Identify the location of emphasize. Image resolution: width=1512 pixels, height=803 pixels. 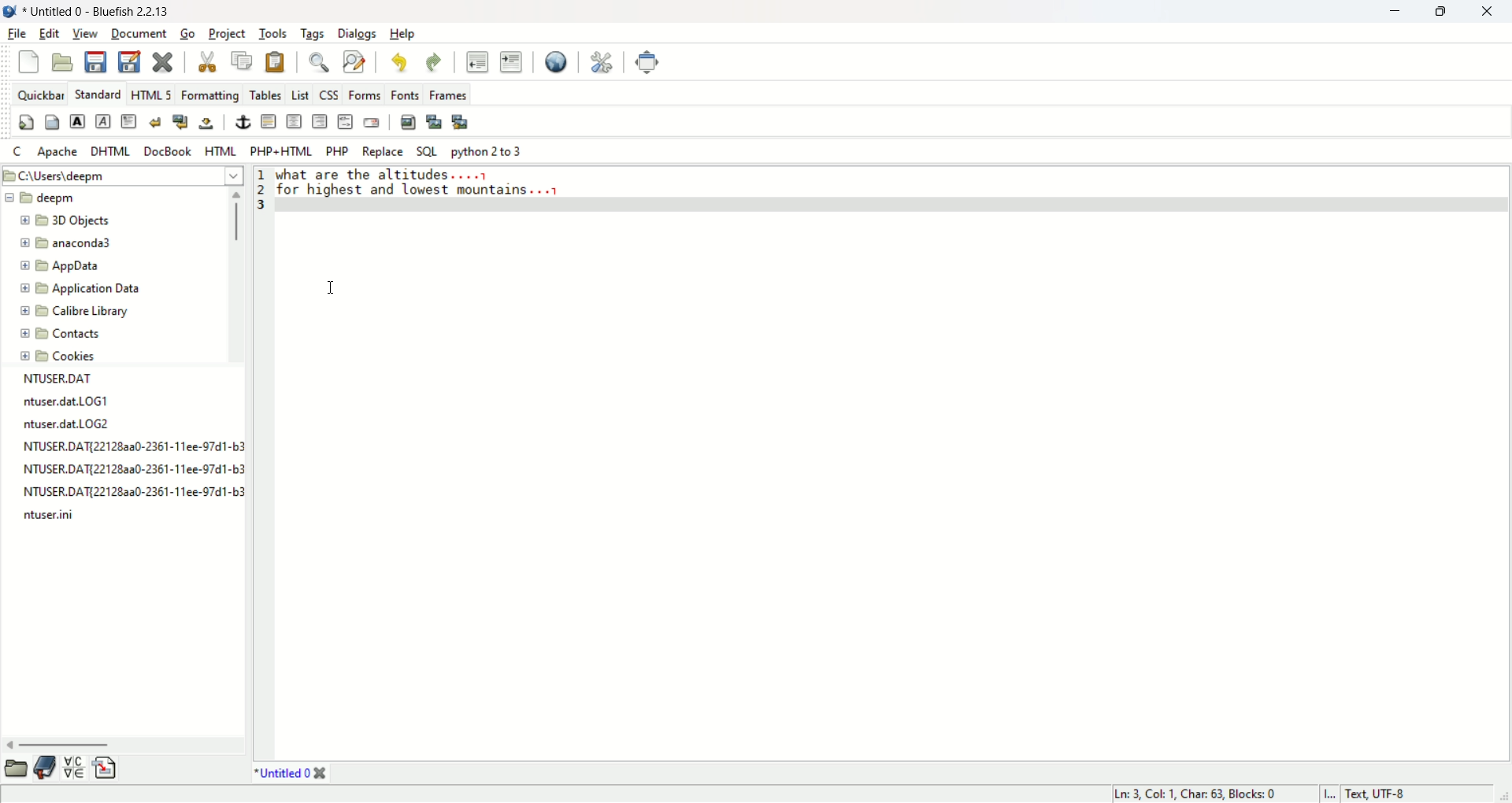
(102, 123).